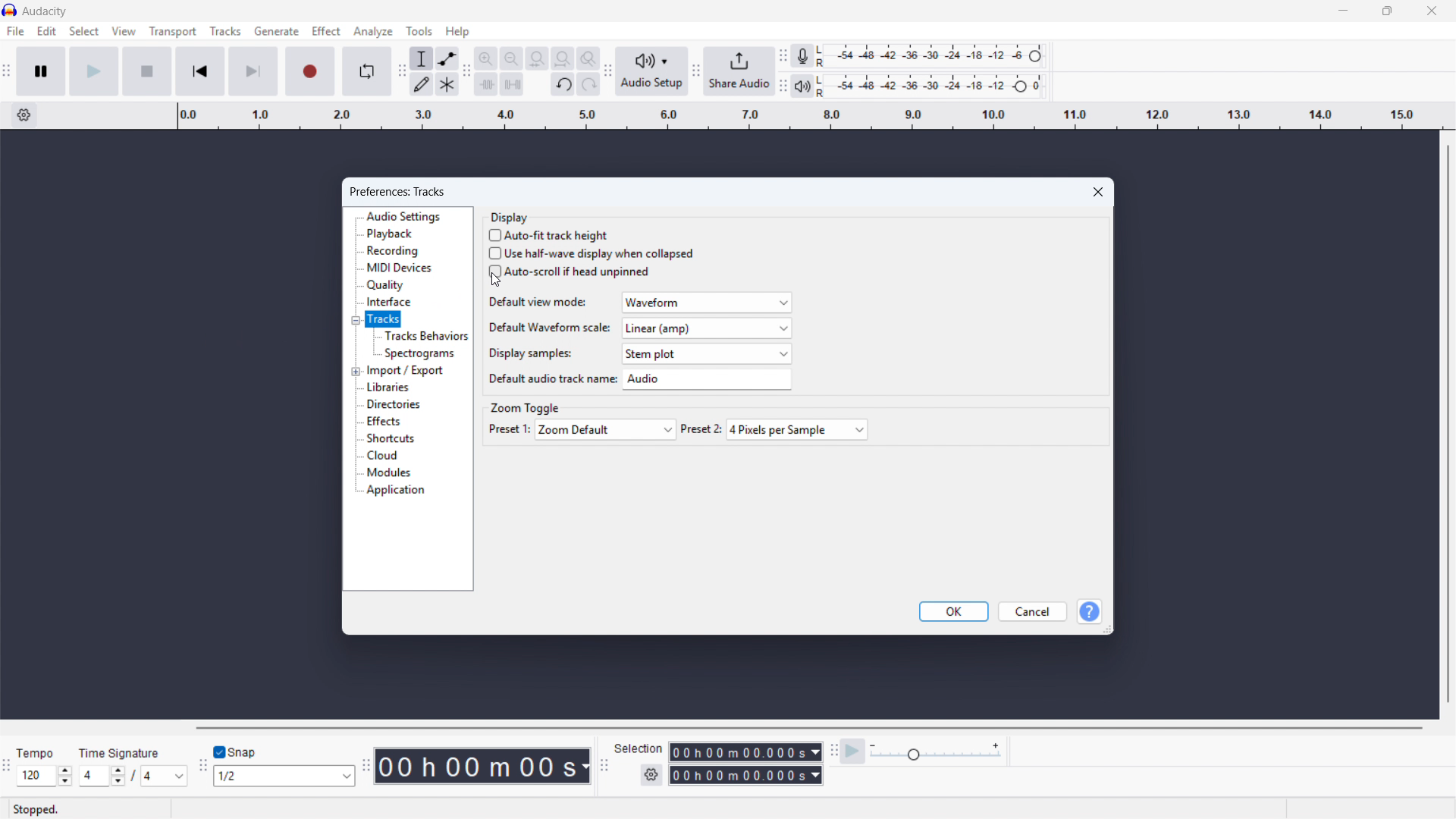 The height and width of the screenshot is (819, 1456). What do you see at coordinates (511, 58) in the screenshot?
I see `zoom out` at bounding box center [511, 58].